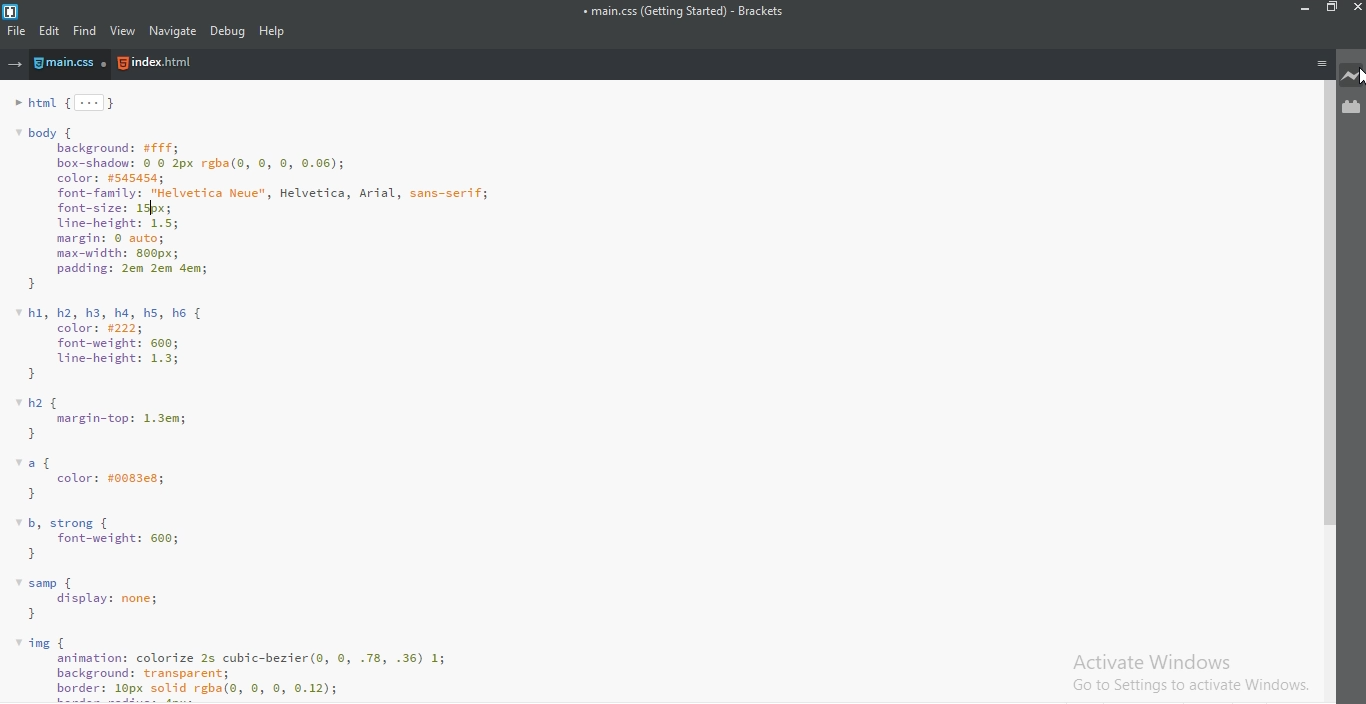 The image size is (1366, 704). What do you see at coordinates (73, 65) in the screenshot?
I see `main.css` at bounding box center [73, 65].